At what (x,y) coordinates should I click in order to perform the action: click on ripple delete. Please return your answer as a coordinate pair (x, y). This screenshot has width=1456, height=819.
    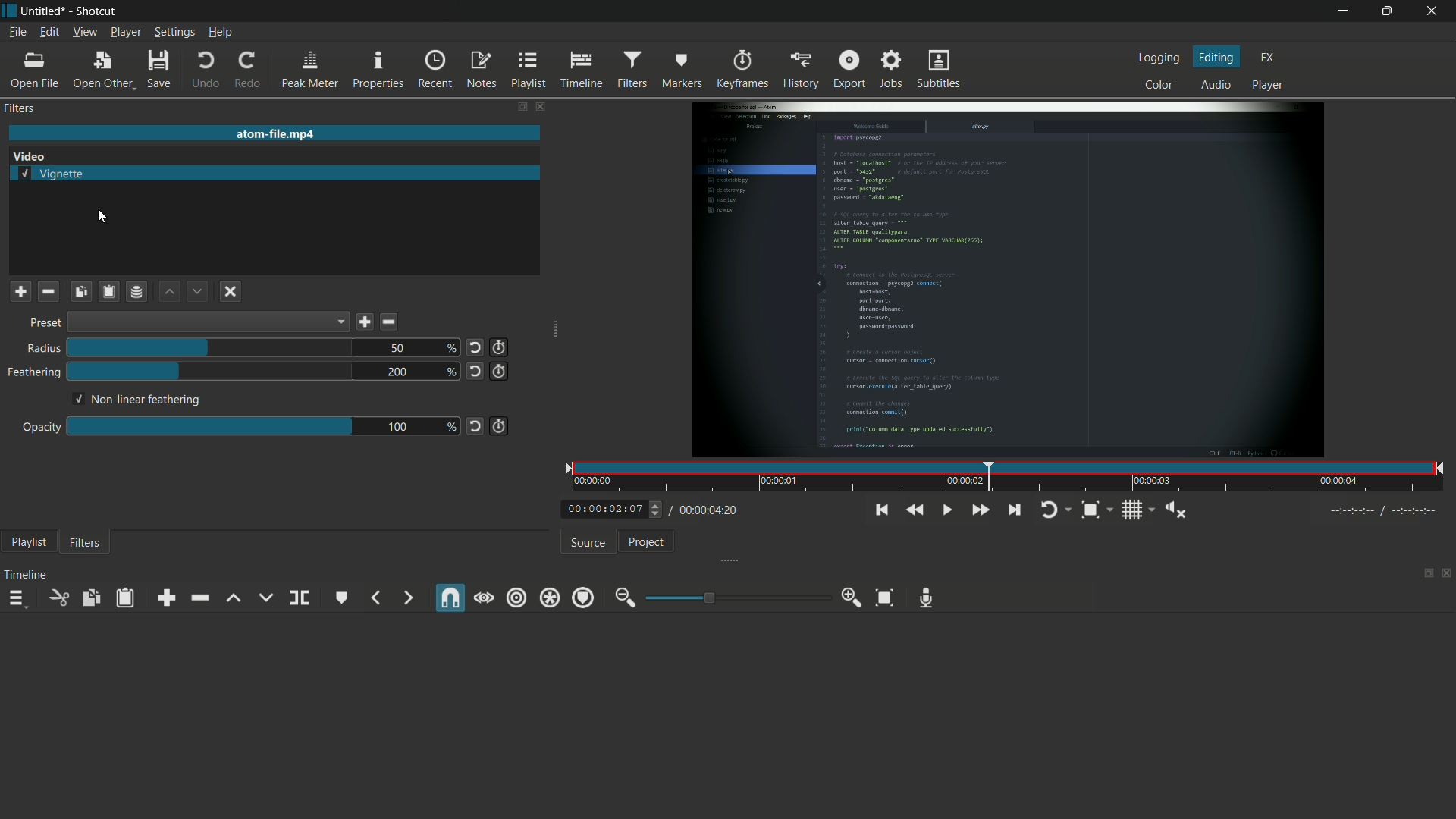
    Looking at the image, I should click on (199, 598).